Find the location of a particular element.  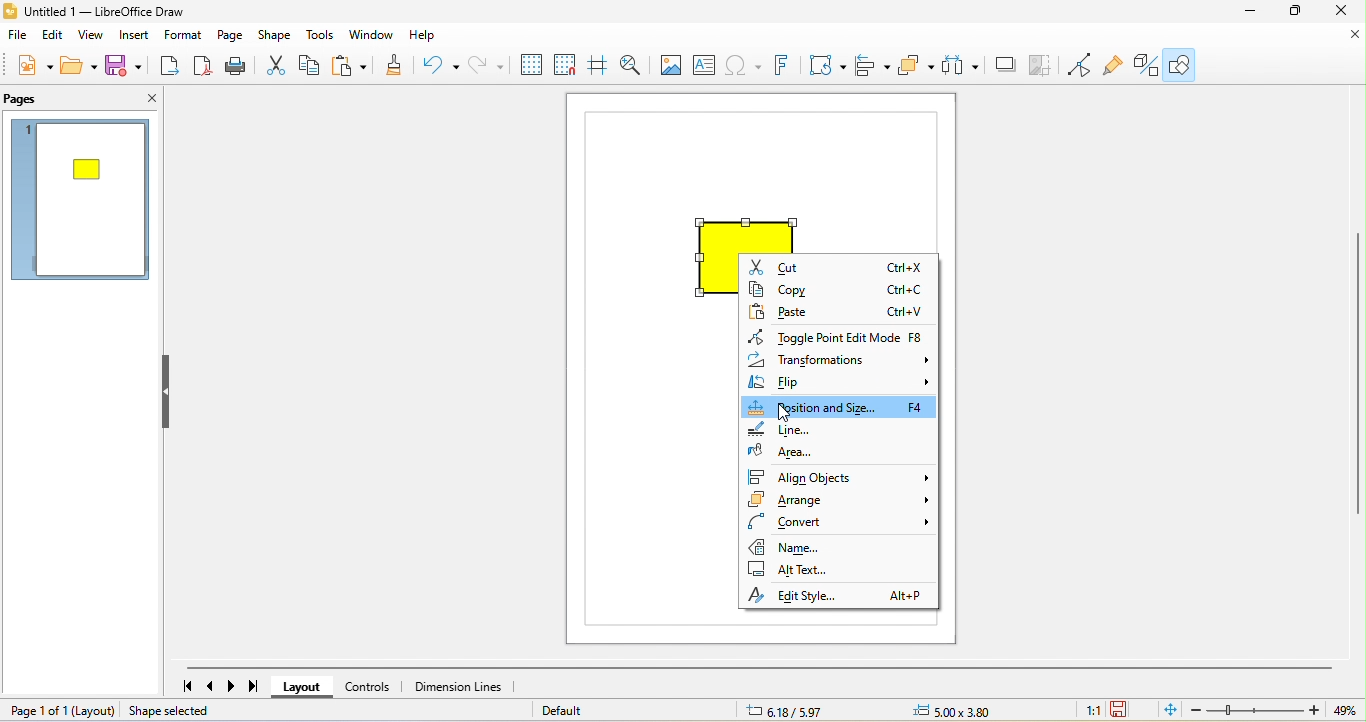

cursor movement is located at coordinates (785, 412).